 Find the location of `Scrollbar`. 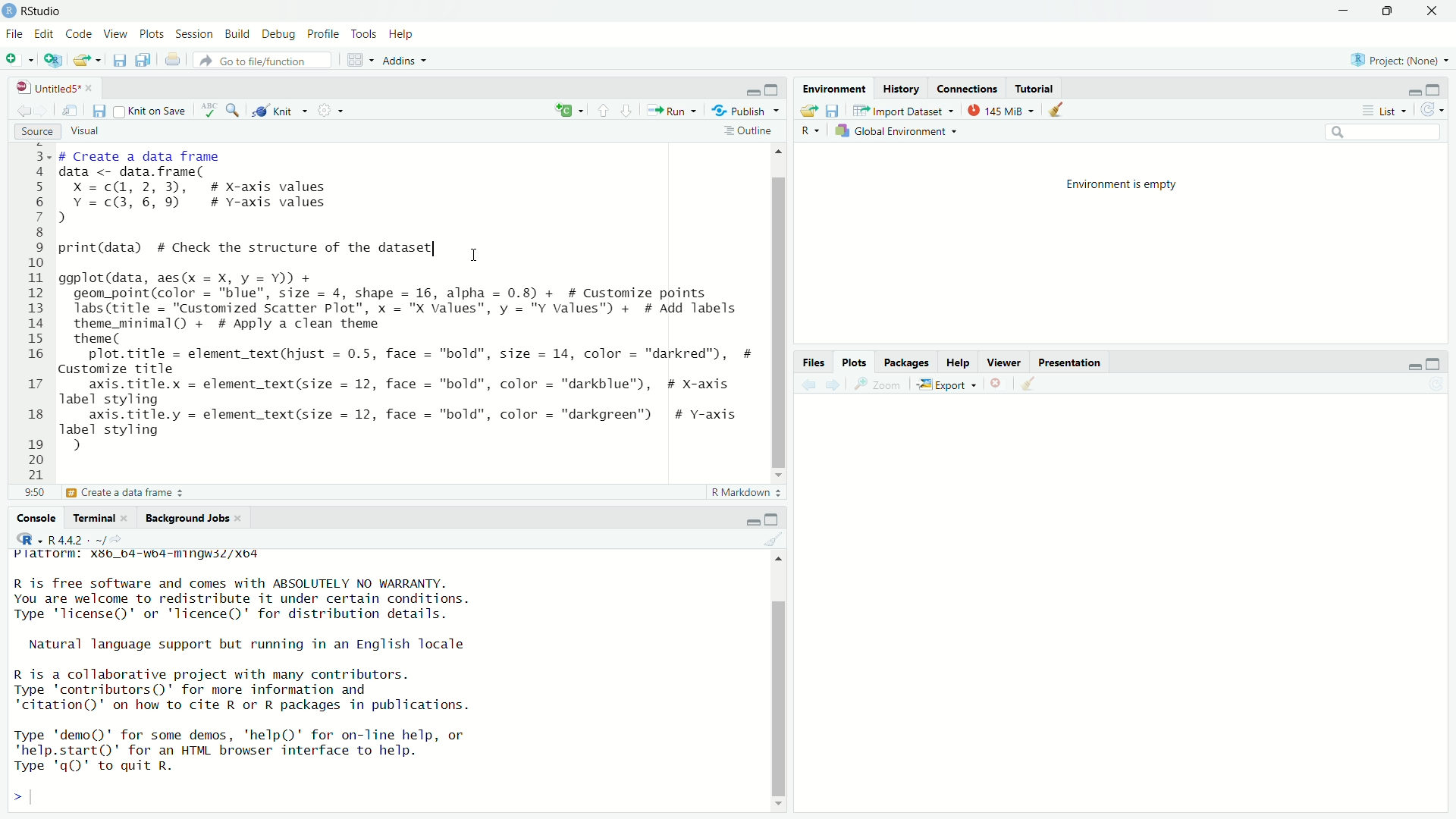

Scrollbar is located at coordinates (777, 687).